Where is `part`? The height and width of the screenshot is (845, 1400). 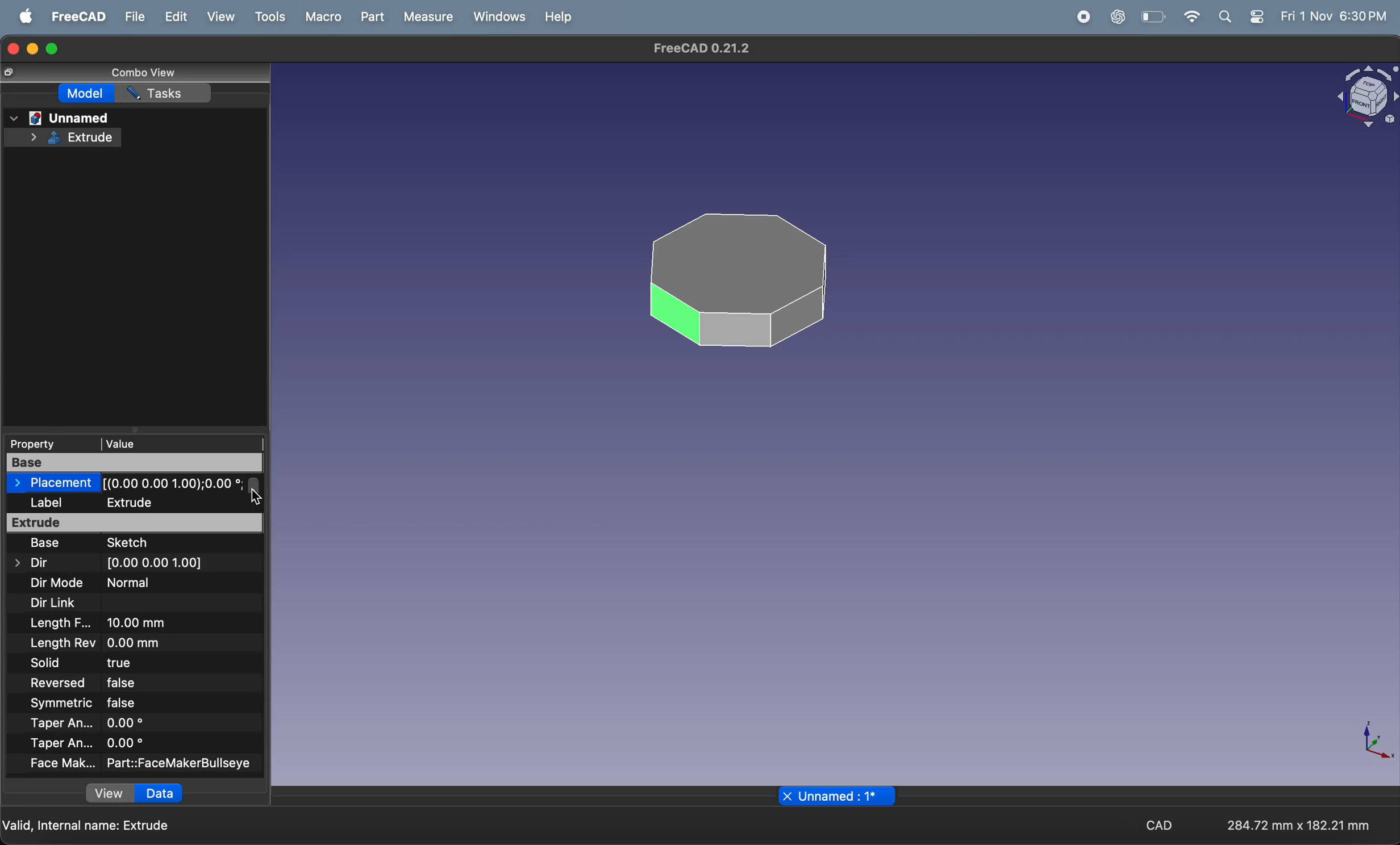
part is located at coordinates (372, 16).